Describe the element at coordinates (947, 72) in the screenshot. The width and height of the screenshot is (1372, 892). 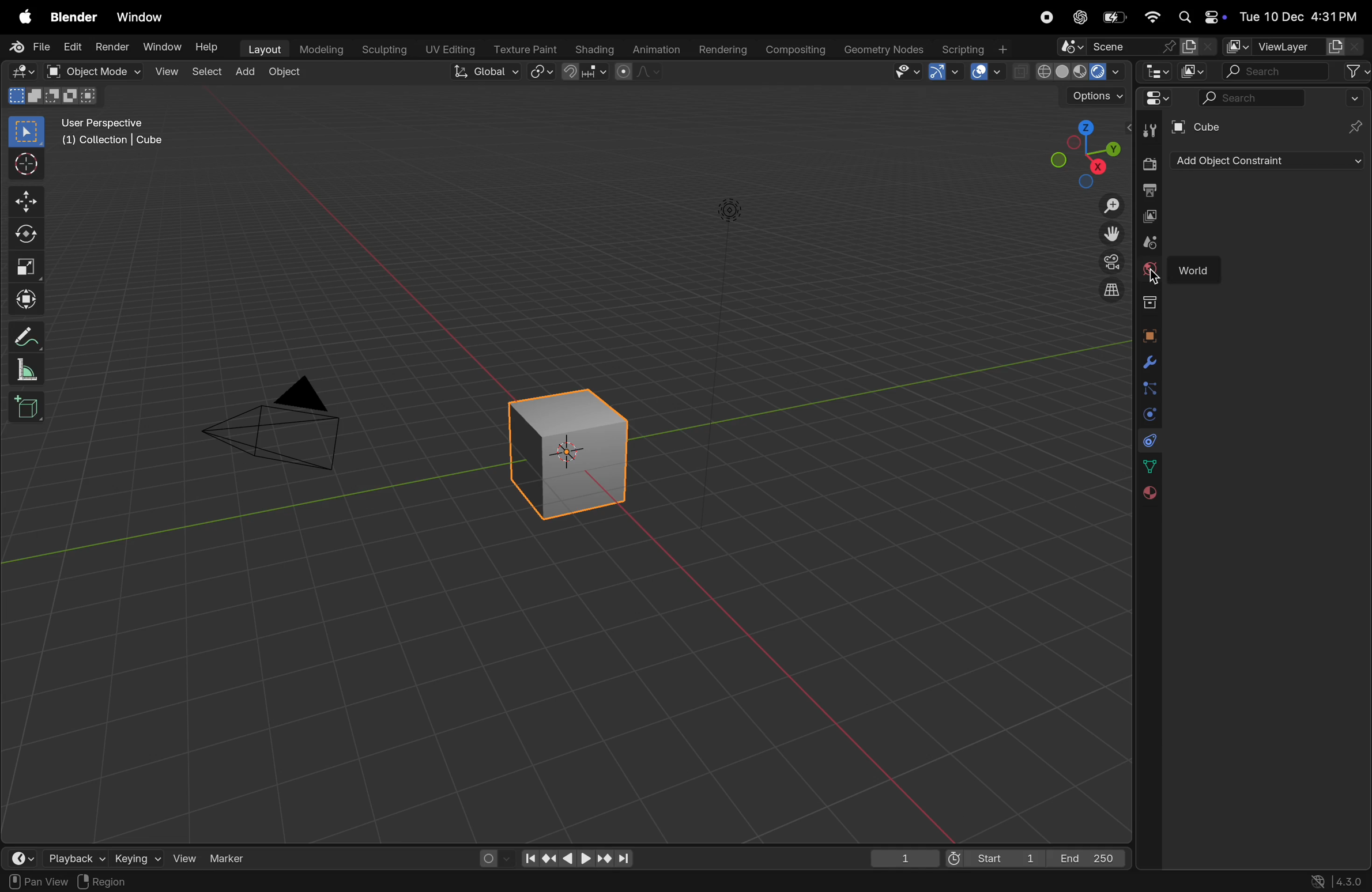
I see `show gimzo` at that location.